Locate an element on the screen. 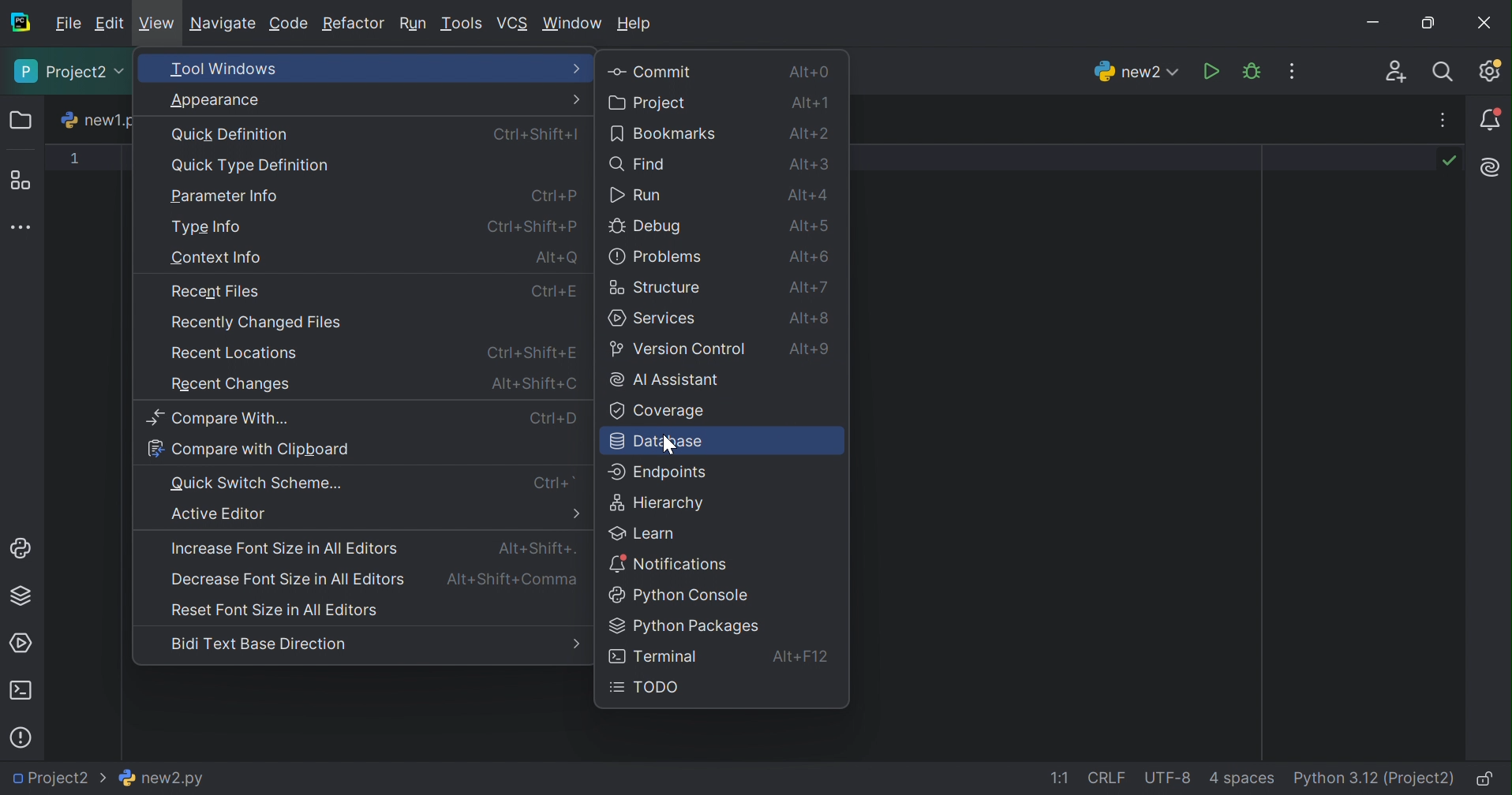 This screenshot has width=1512, height=795. Type info is located at coordinates (206, 226).